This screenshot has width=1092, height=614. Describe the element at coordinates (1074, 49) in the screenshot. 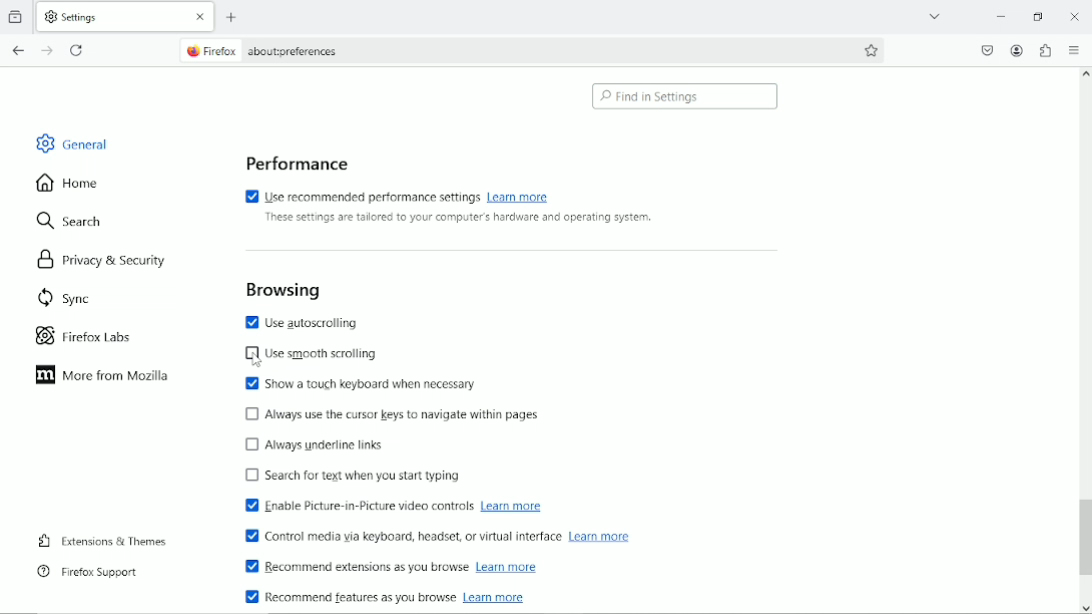

I see `Open application menu` at that location.